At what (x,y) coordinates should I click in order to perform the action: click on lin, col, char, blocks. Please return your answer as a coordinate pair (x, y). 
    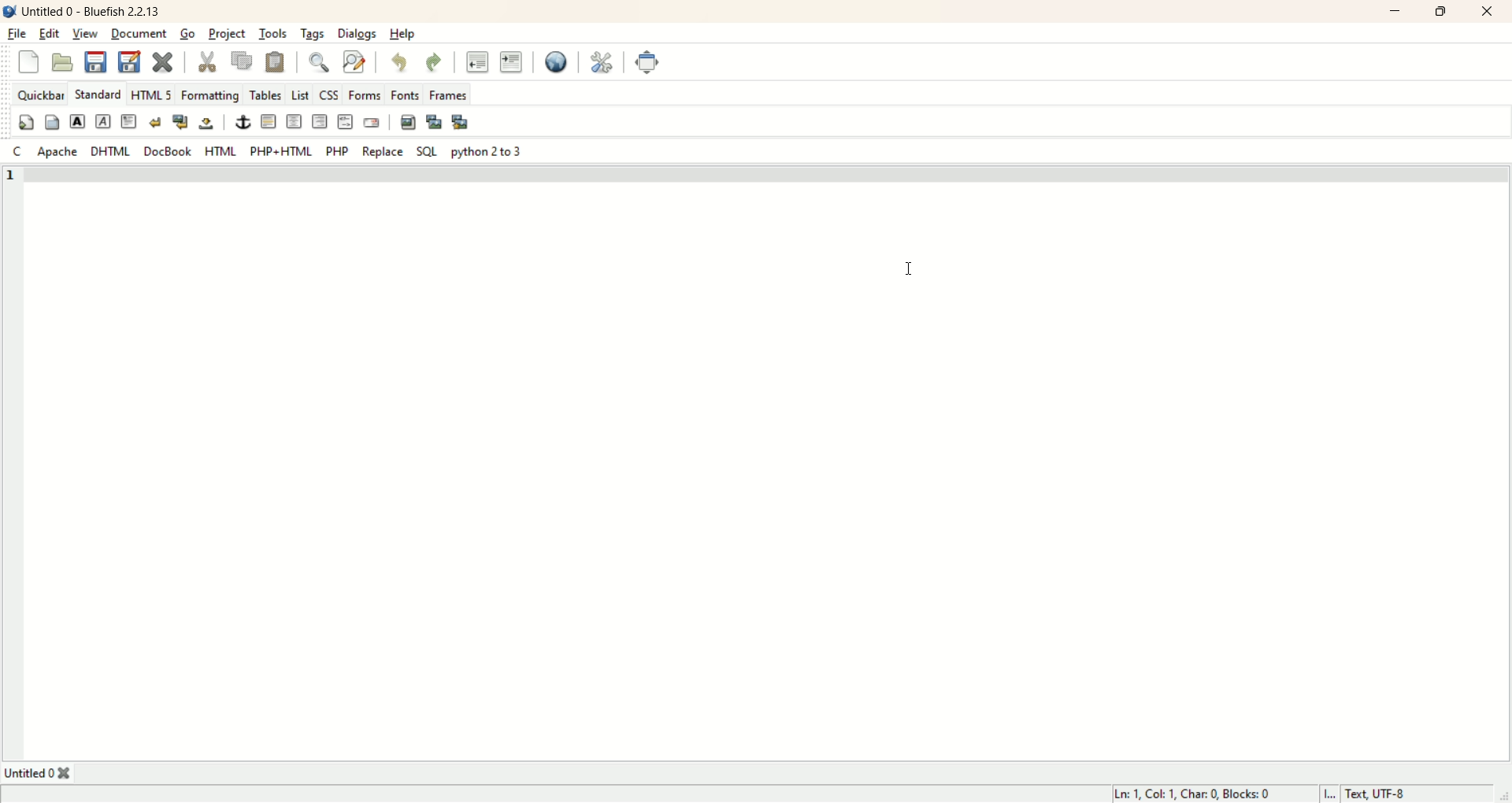
    Looking at the image, I should click on (1197, 794).